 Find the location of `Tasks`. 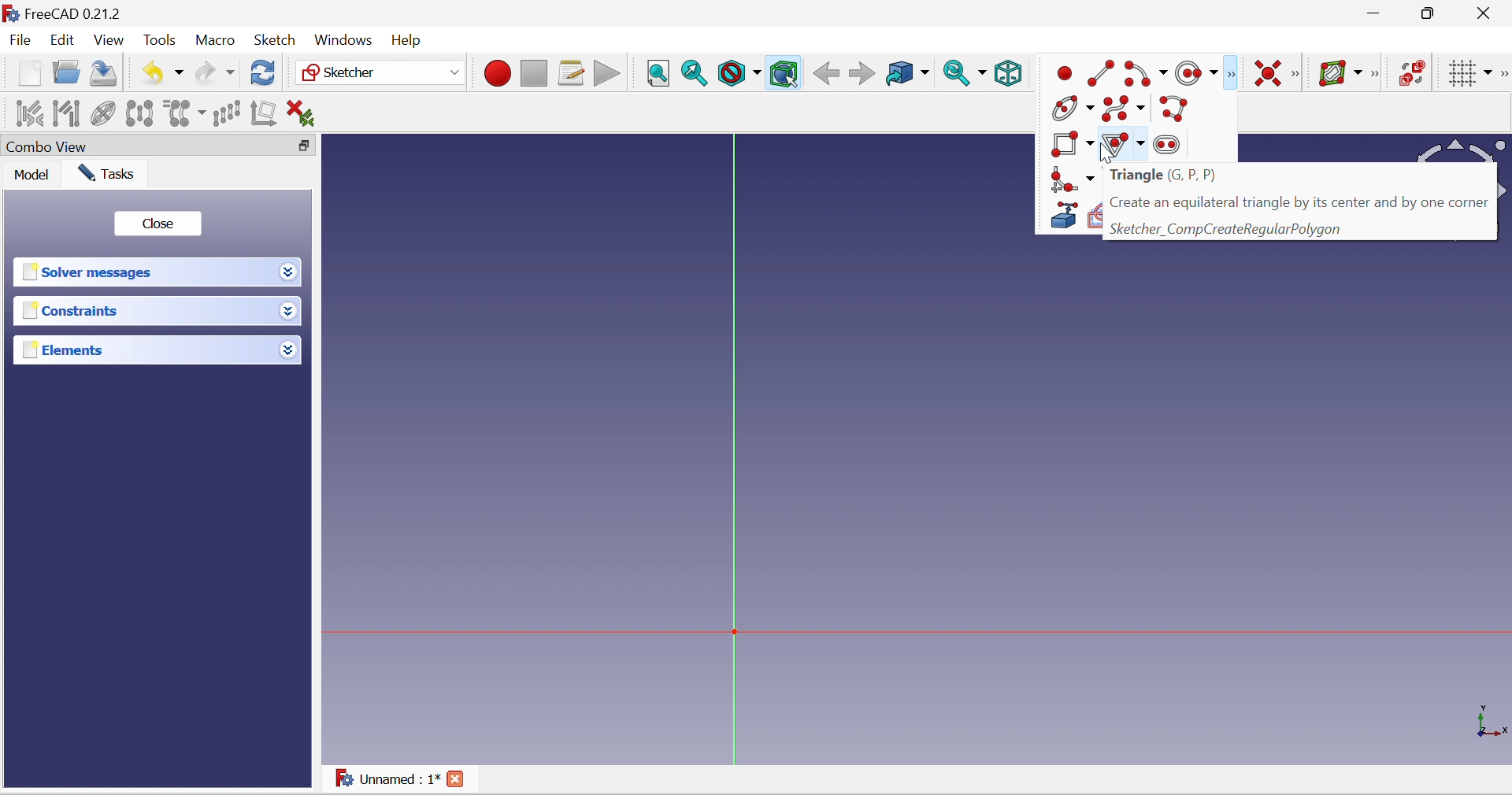

Tasks is located at coordinates (106, 174).